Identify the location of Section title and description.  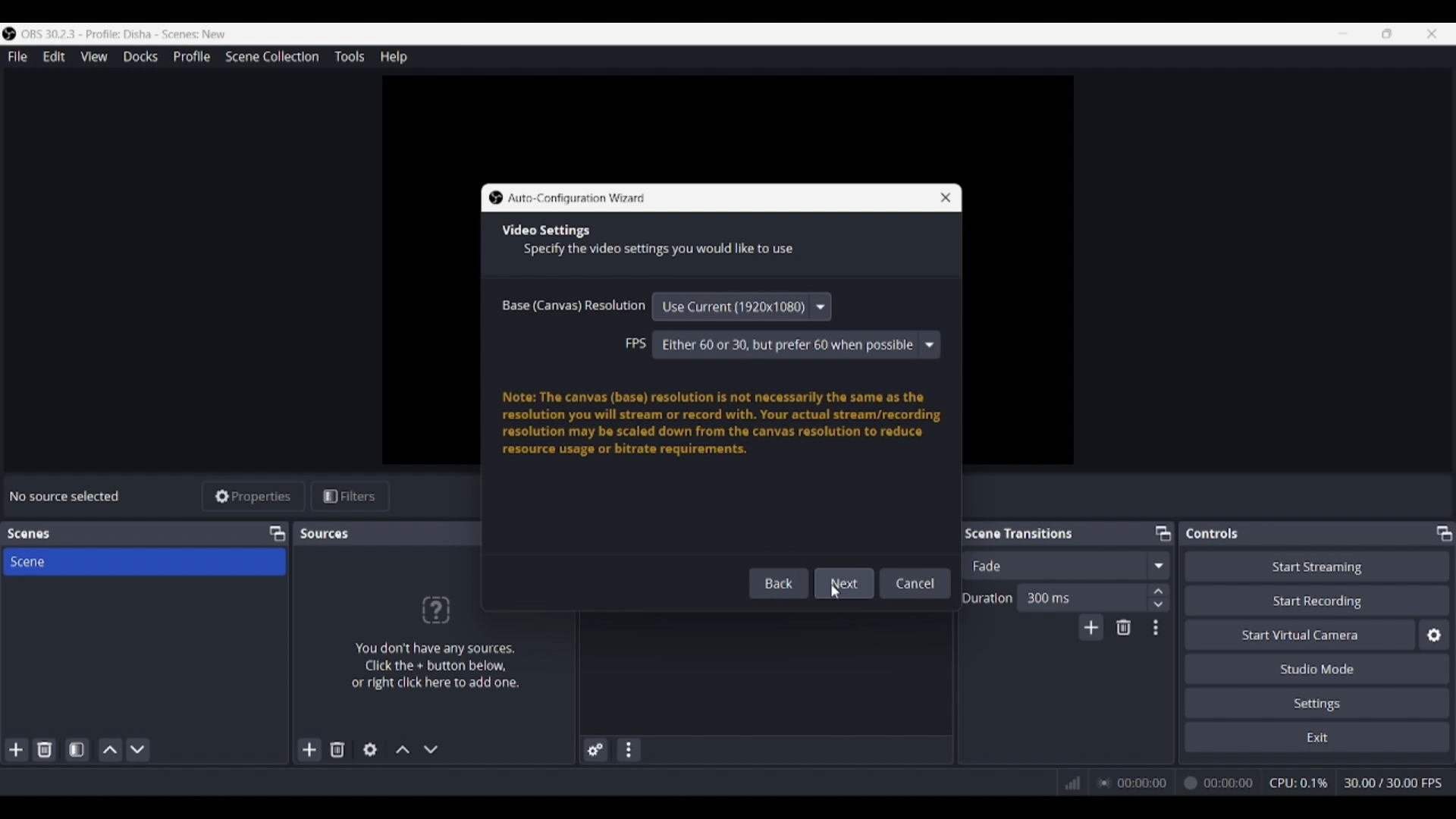
(651, 242).